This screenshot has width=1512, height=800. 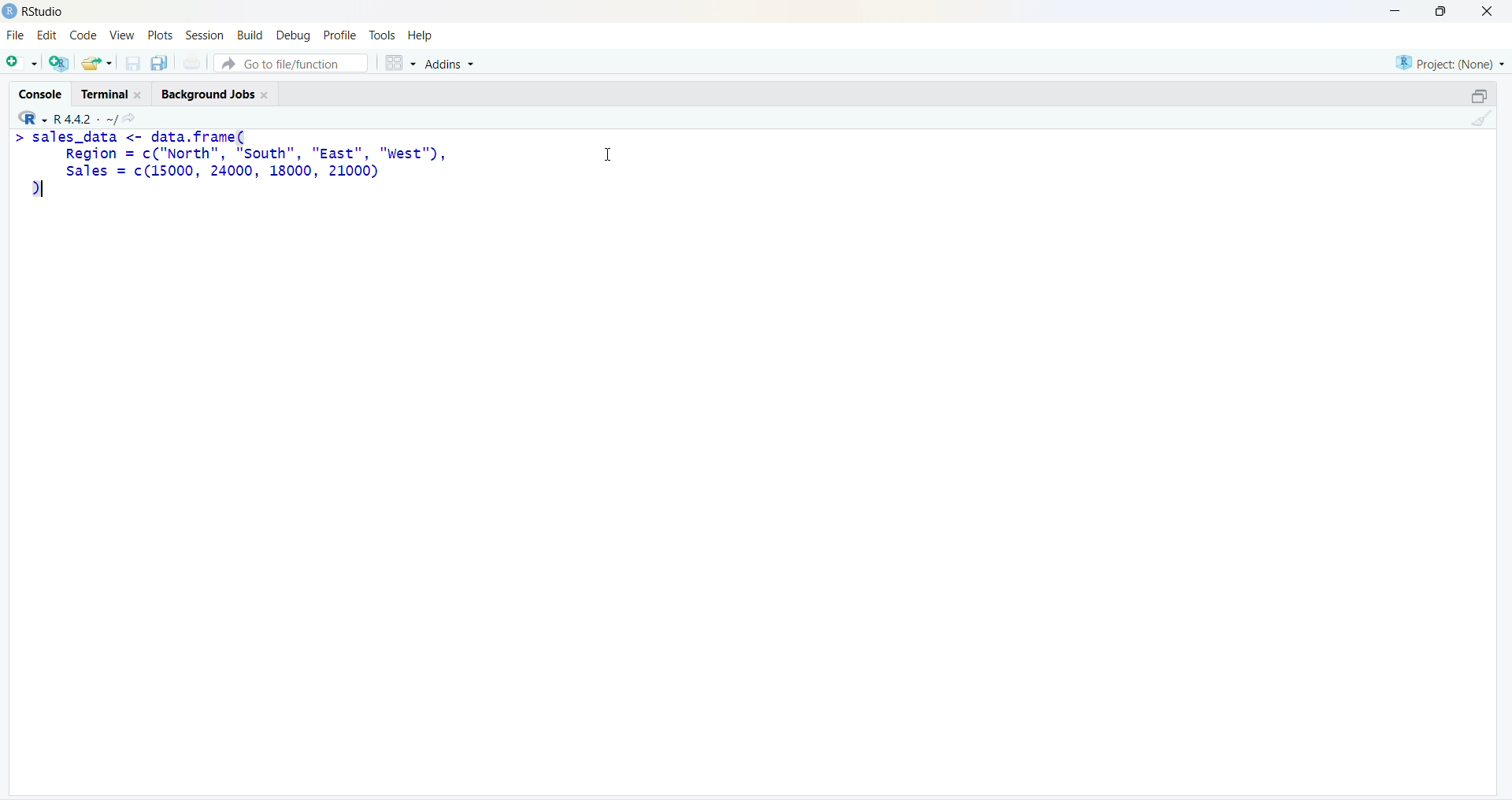 What do you see at coordinates (159, 64) in the screenshot?
I see `save as` at bounding box center [159, 64].